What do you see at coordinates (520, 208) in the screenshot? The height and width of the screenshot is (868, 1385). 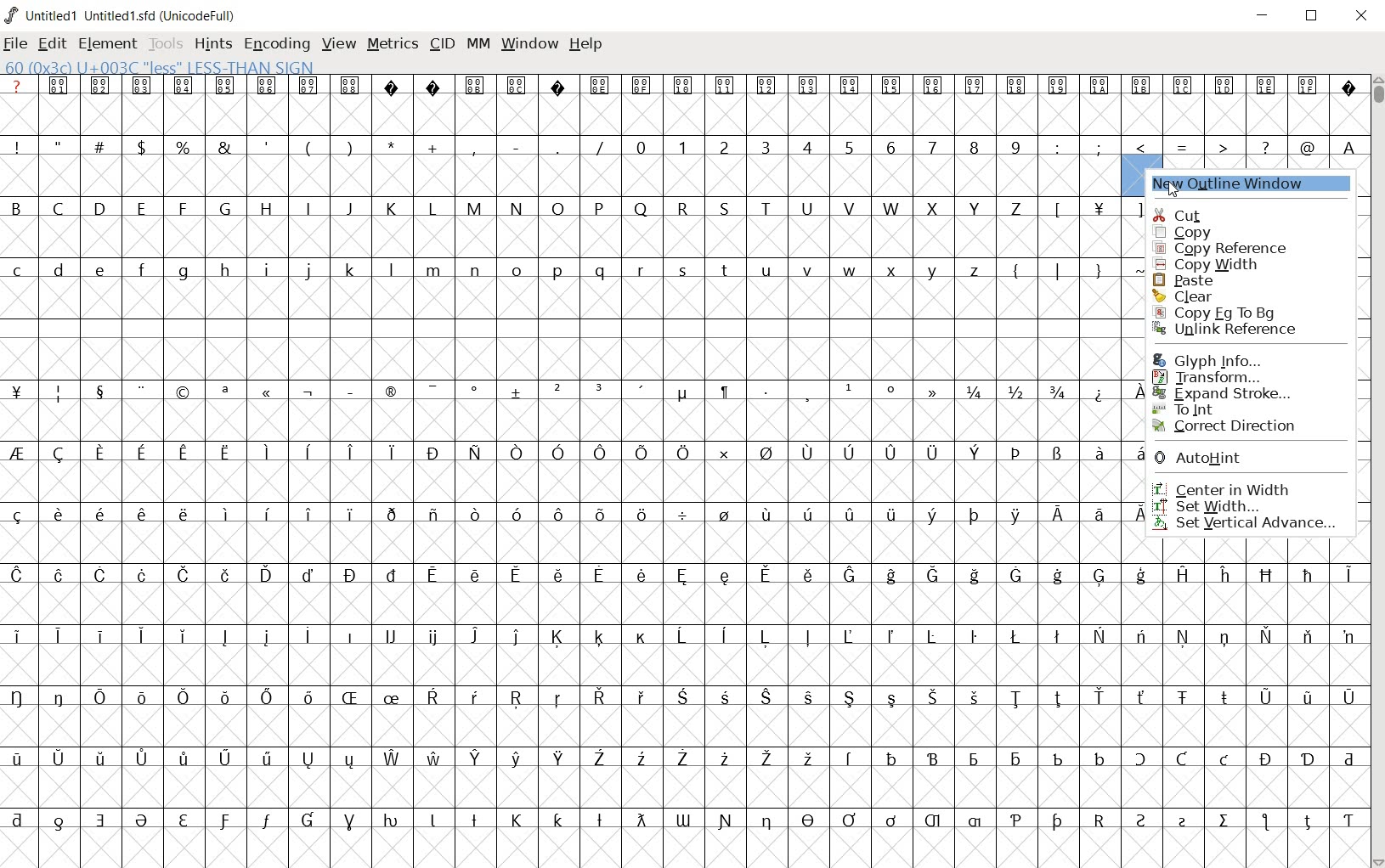 I see `Capilal letters B - Z` at bounding box center [520, 208].